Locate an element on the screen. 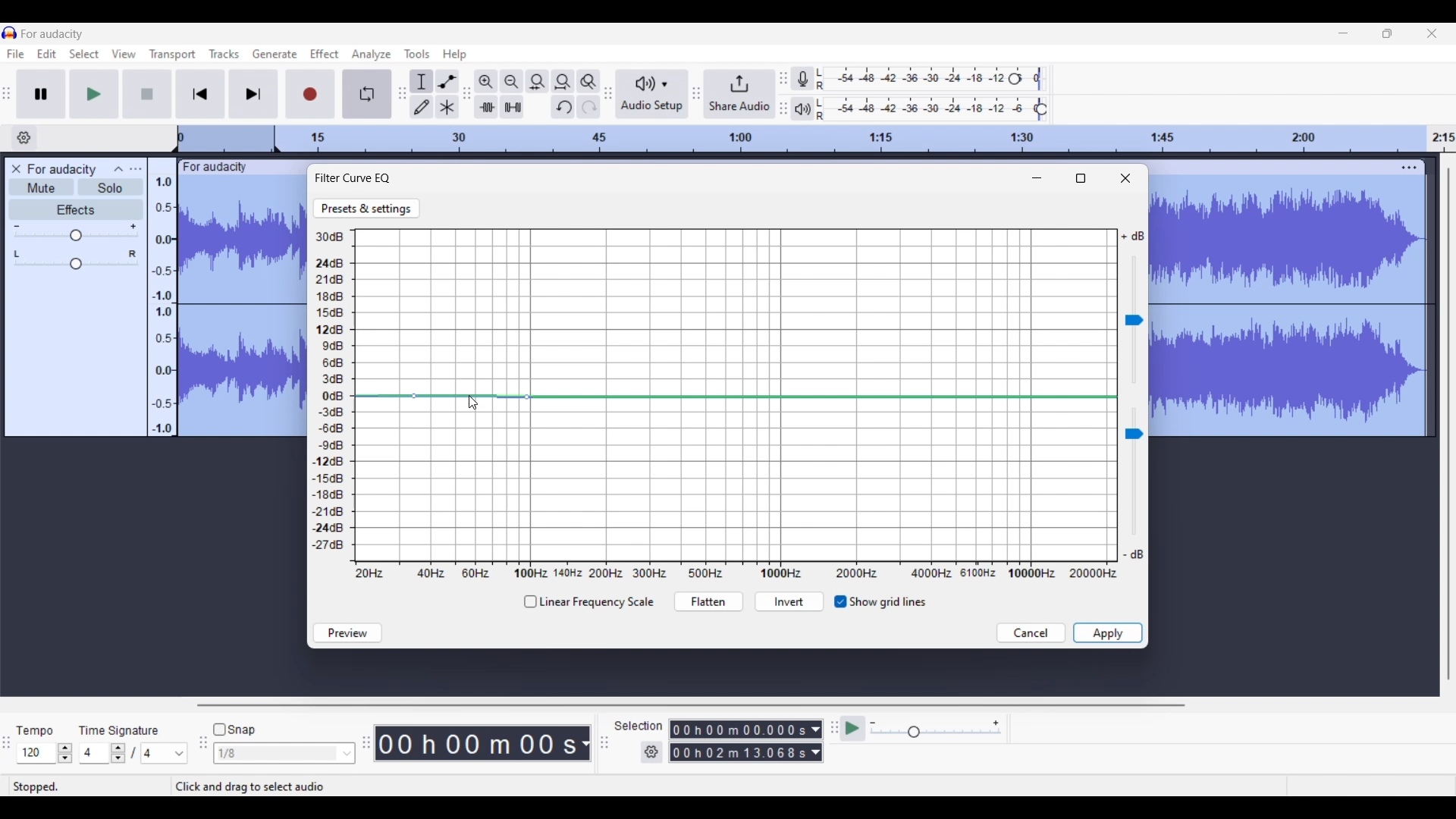 Image resolution: width=1456 pixels, height=819 pixels. Pan right is located at coordinates (133, 254).